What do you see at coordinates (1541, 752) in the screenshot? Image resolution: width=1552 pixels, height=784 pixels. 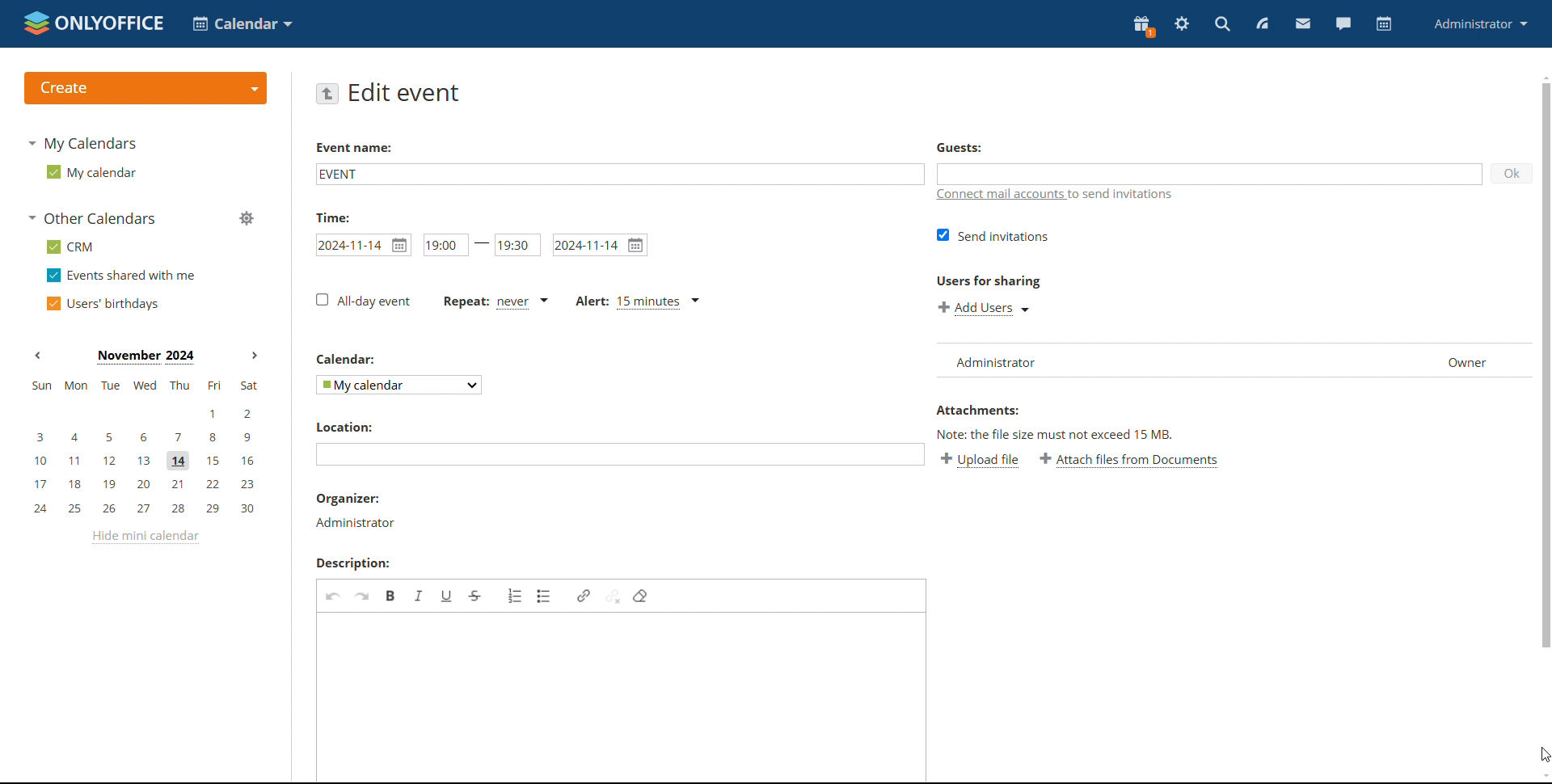 I see `cursor` at bounding box center [1541, 752].